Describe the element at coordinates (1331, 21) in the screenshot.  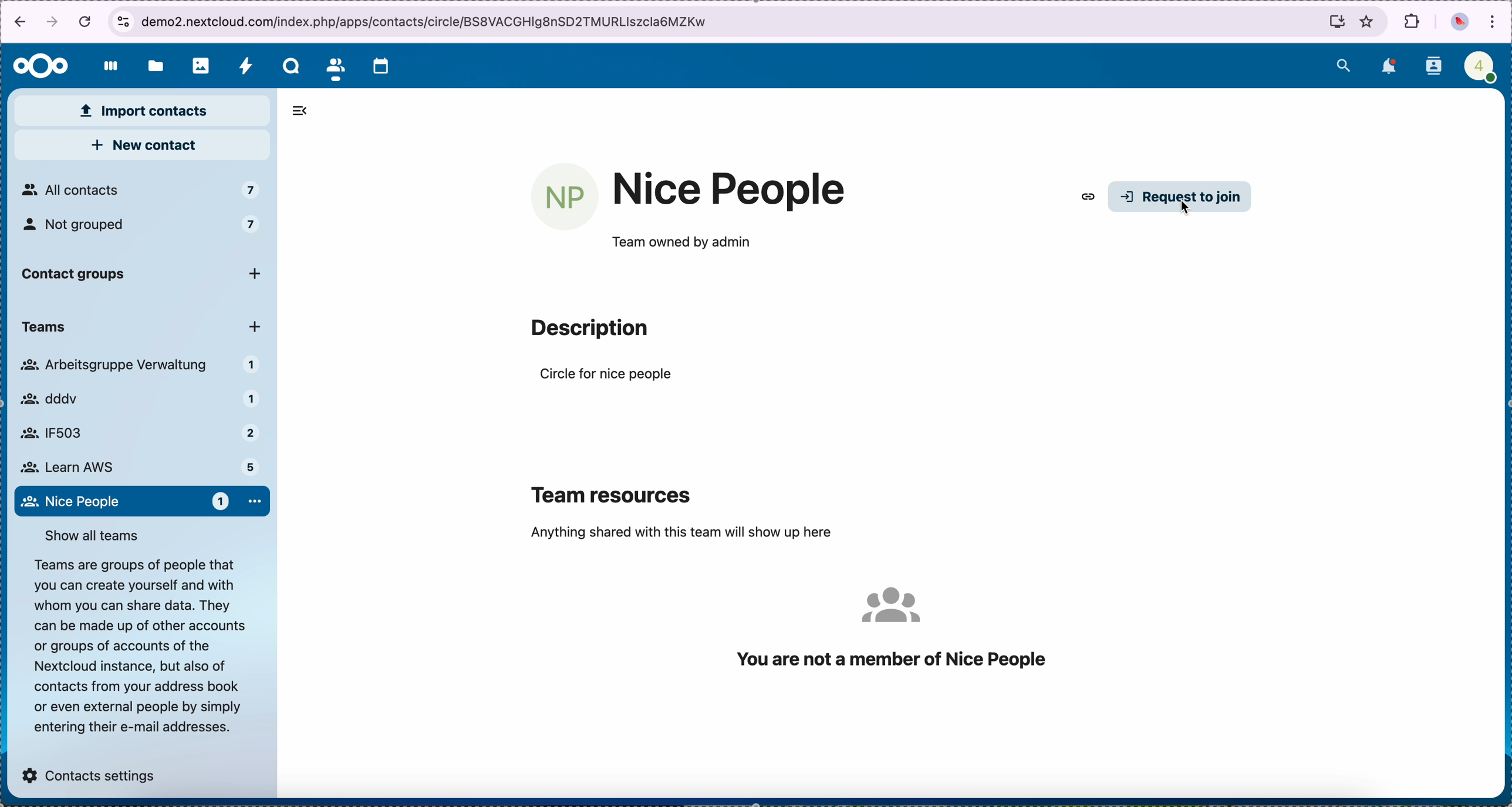
I see `install Nextcloud` at that location.